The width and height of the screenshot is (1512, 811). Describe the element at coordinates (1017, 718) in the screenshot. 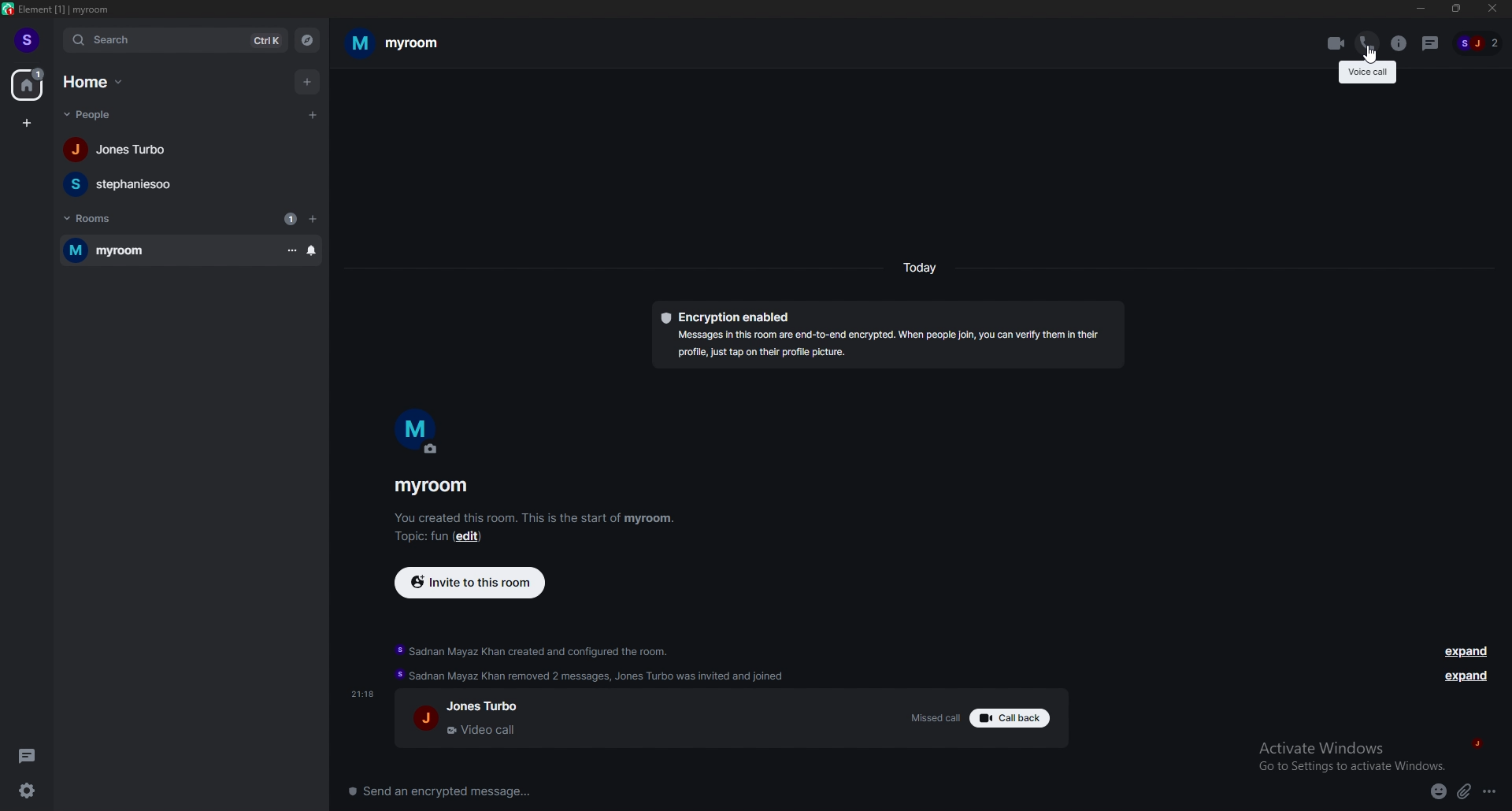

I see `call back` at that location.